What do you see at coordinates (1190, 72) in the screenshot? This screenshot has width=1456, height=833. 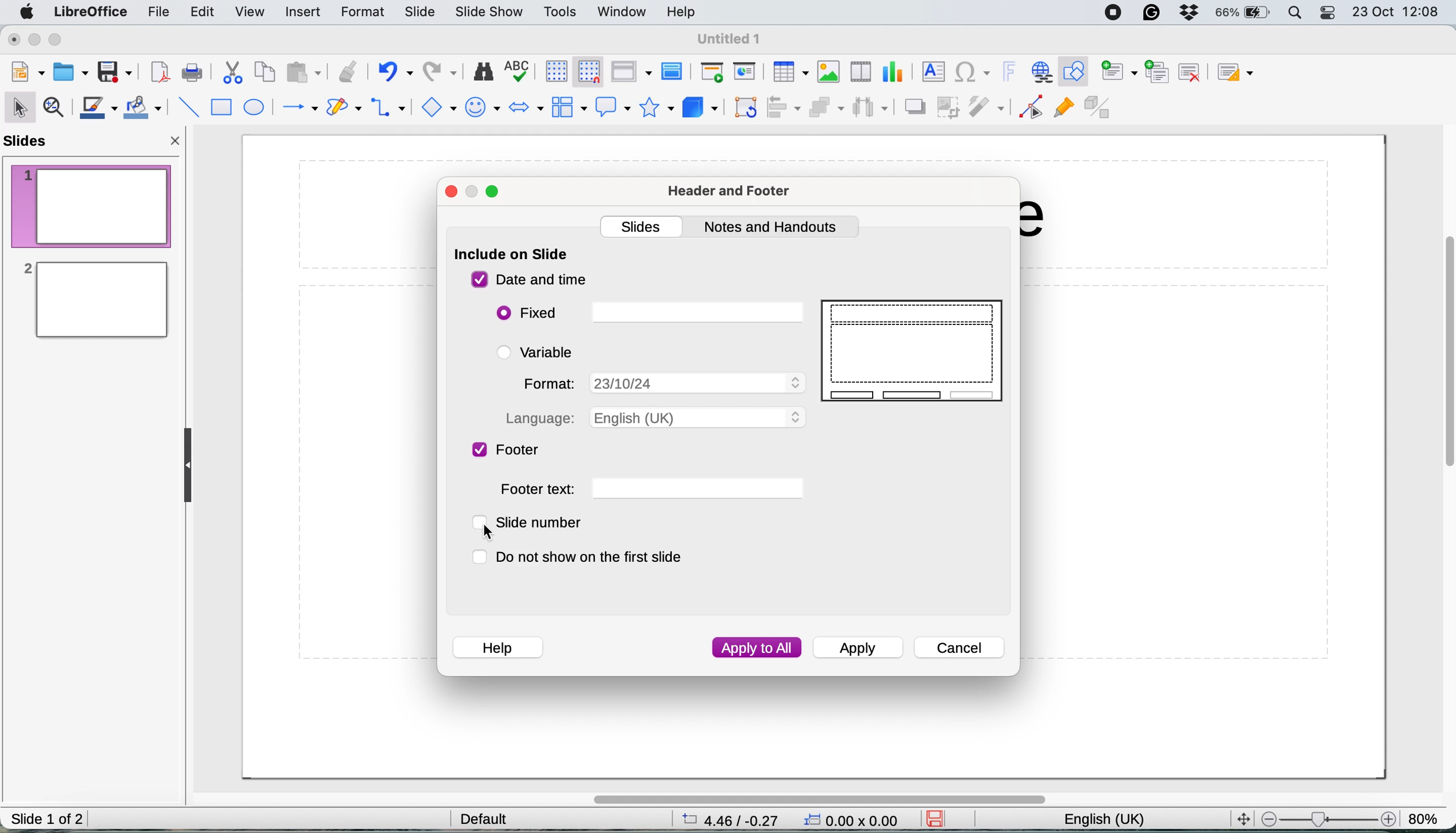 I see `delete slide` at bounding box center [1190, 72].